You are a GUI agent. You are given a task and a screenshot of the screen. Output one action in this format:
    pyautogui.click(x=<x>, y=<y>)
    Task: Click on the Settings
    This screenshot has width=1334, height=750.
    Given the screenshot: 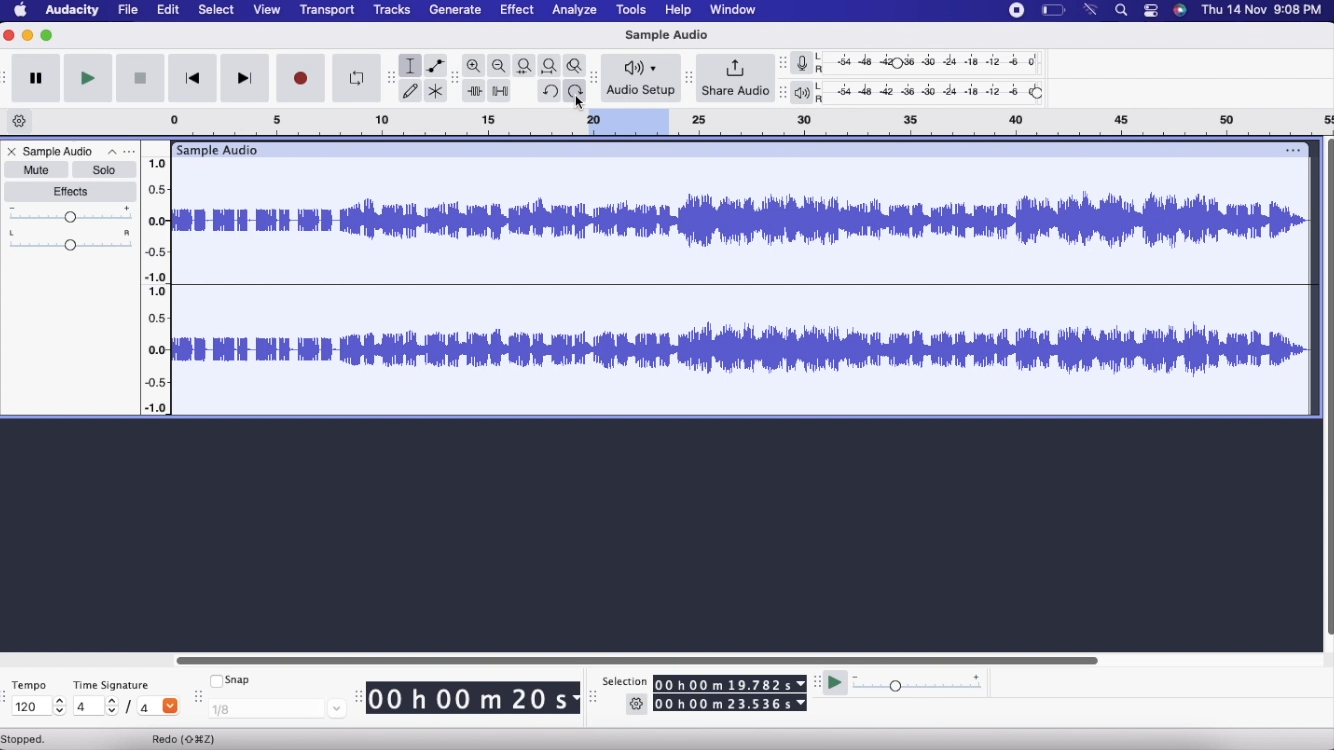 What is the action you would take?
    pyautogui.click(x=637, y=704)
    